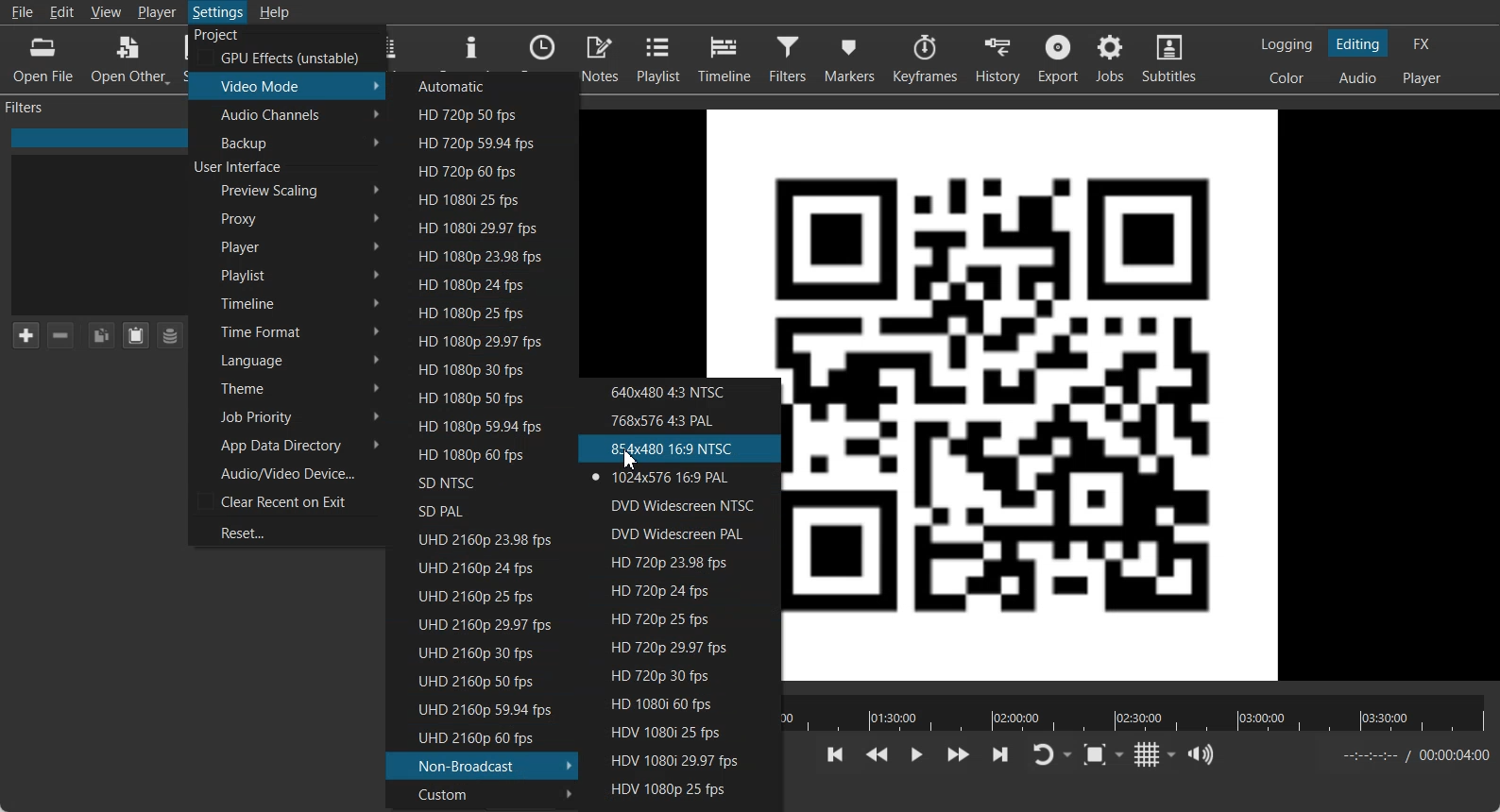 The width and height of the screenshot is (1500, 812). Describe the element at coordinates (680, 478) in the screenshot. I see `1024x576 16:9 PAL` at that location.